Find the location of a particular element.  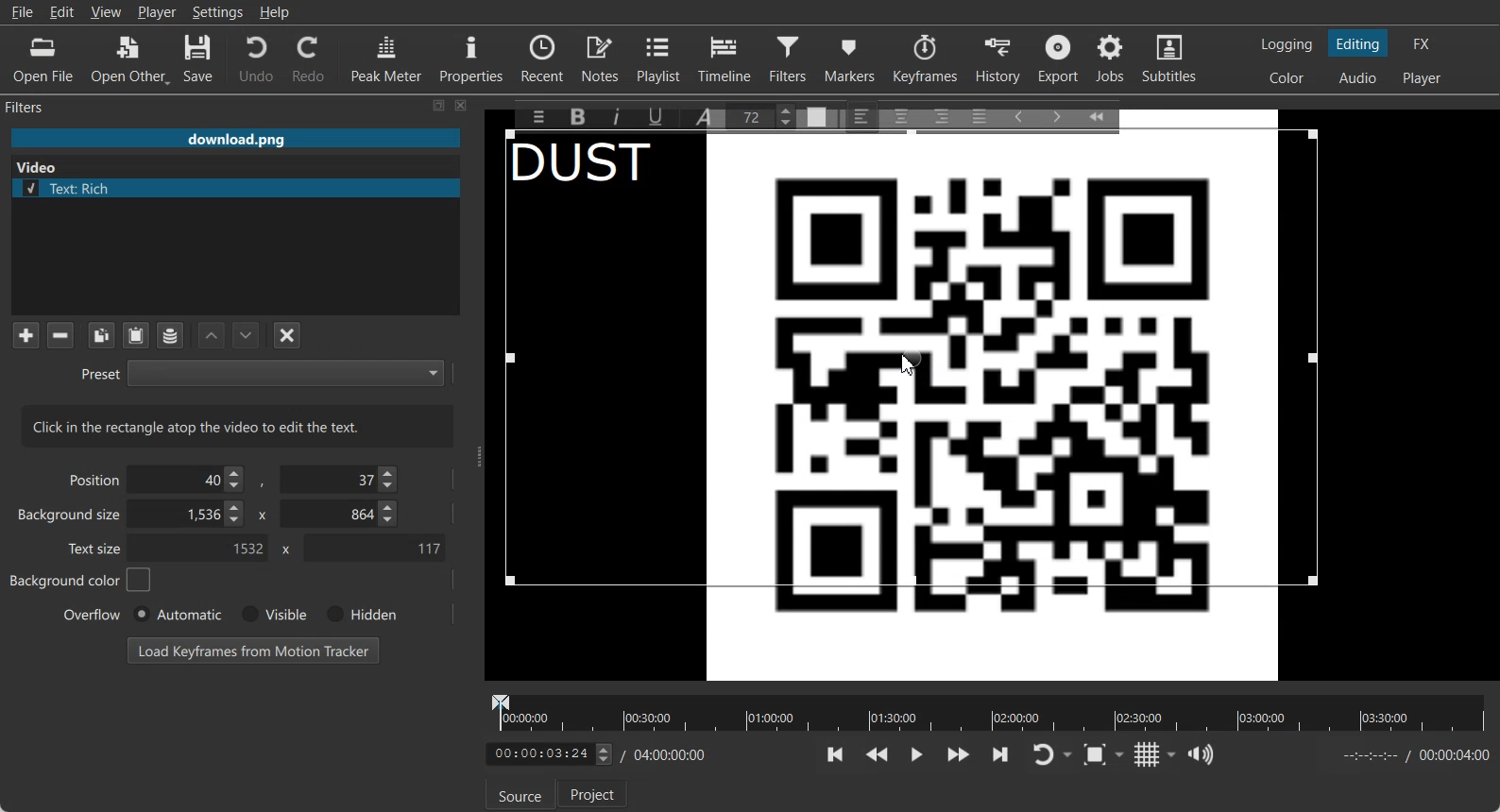

Notes is located at coordinates (602, 58).